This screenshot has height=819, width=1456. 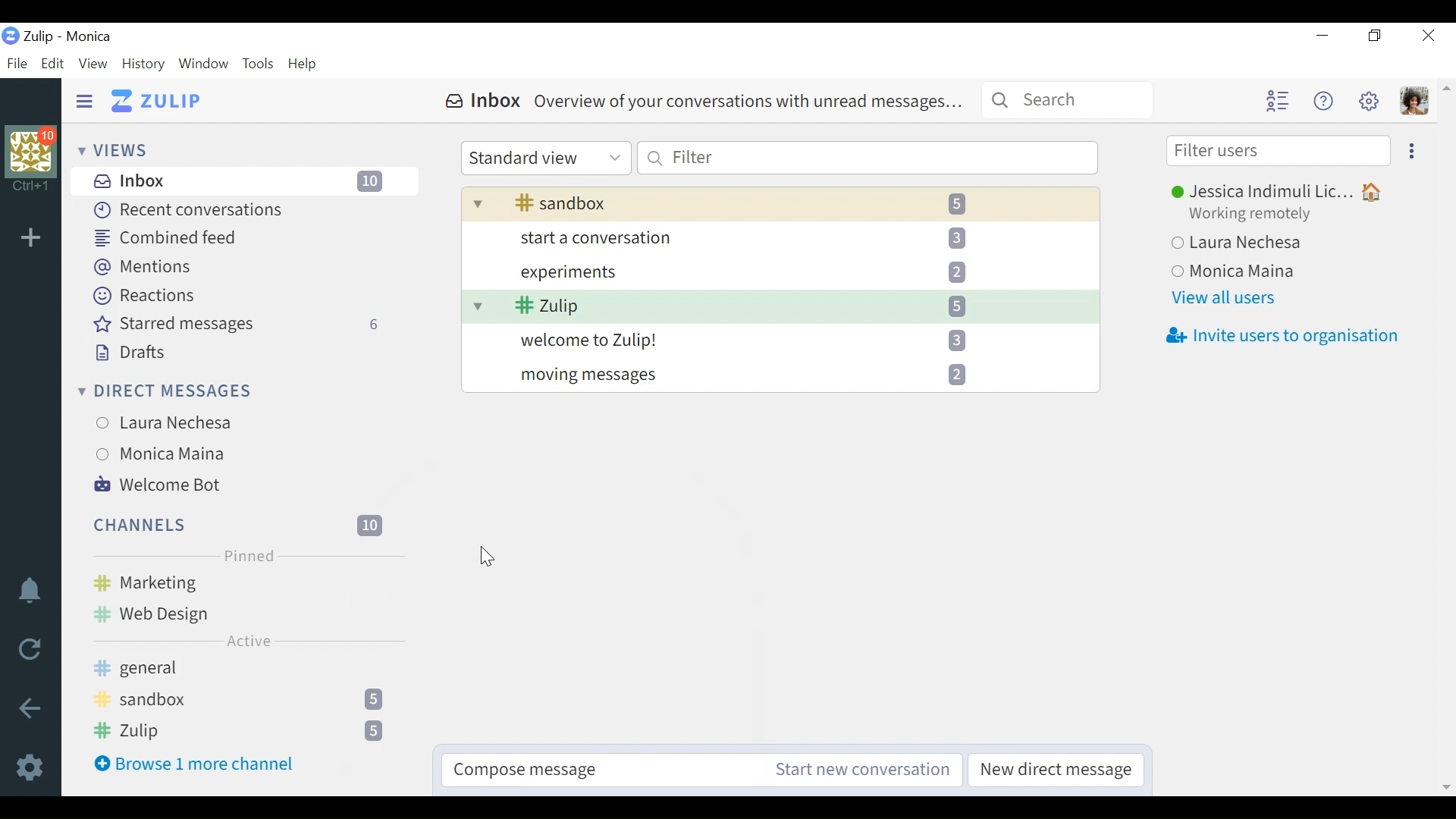 I want to click on cursor, so click(x=486, y=557).